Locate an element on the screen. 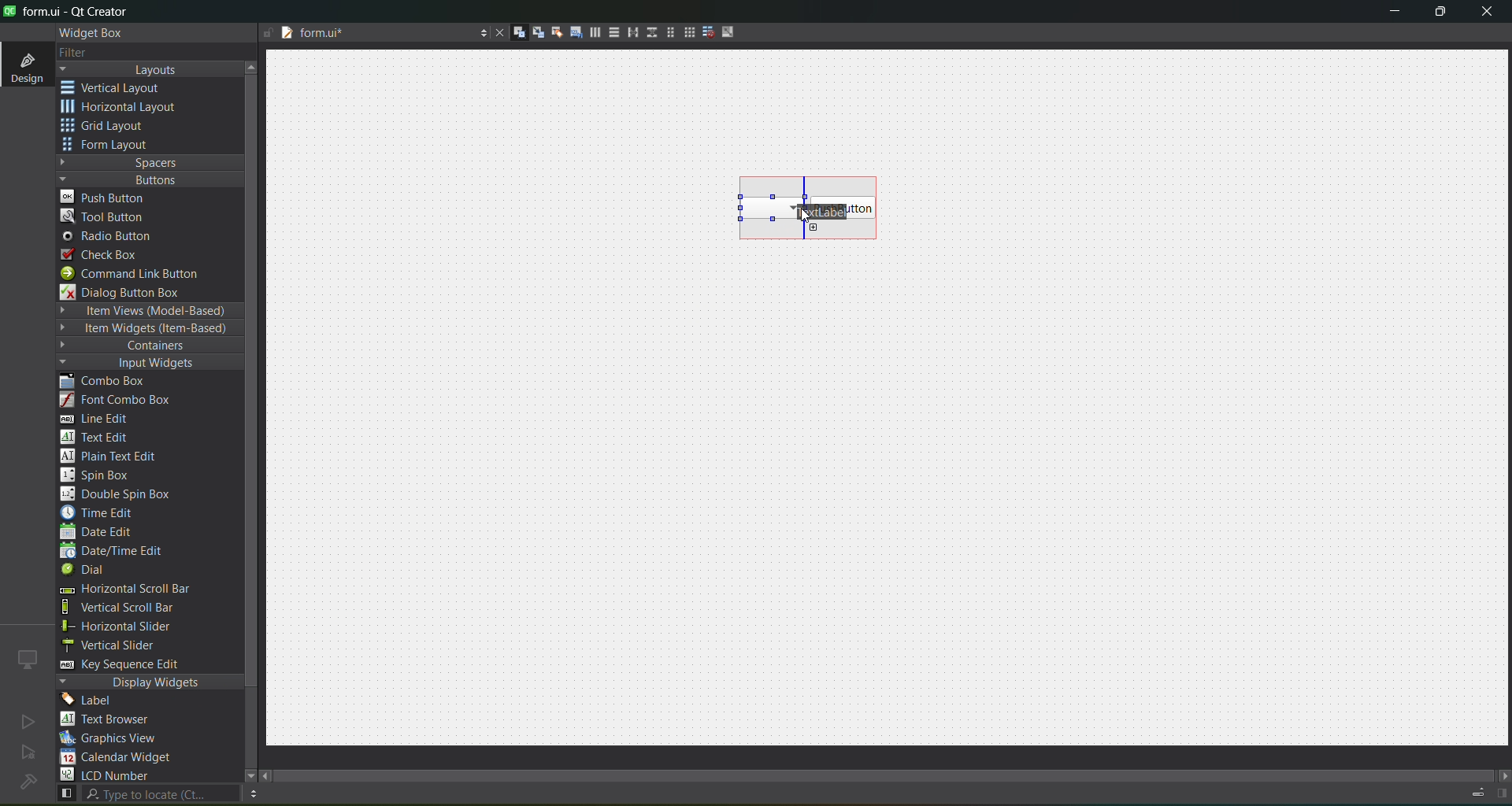 The height and width of the screenshot is (806, 1512). horizontal is located at coordinates (122, 109).